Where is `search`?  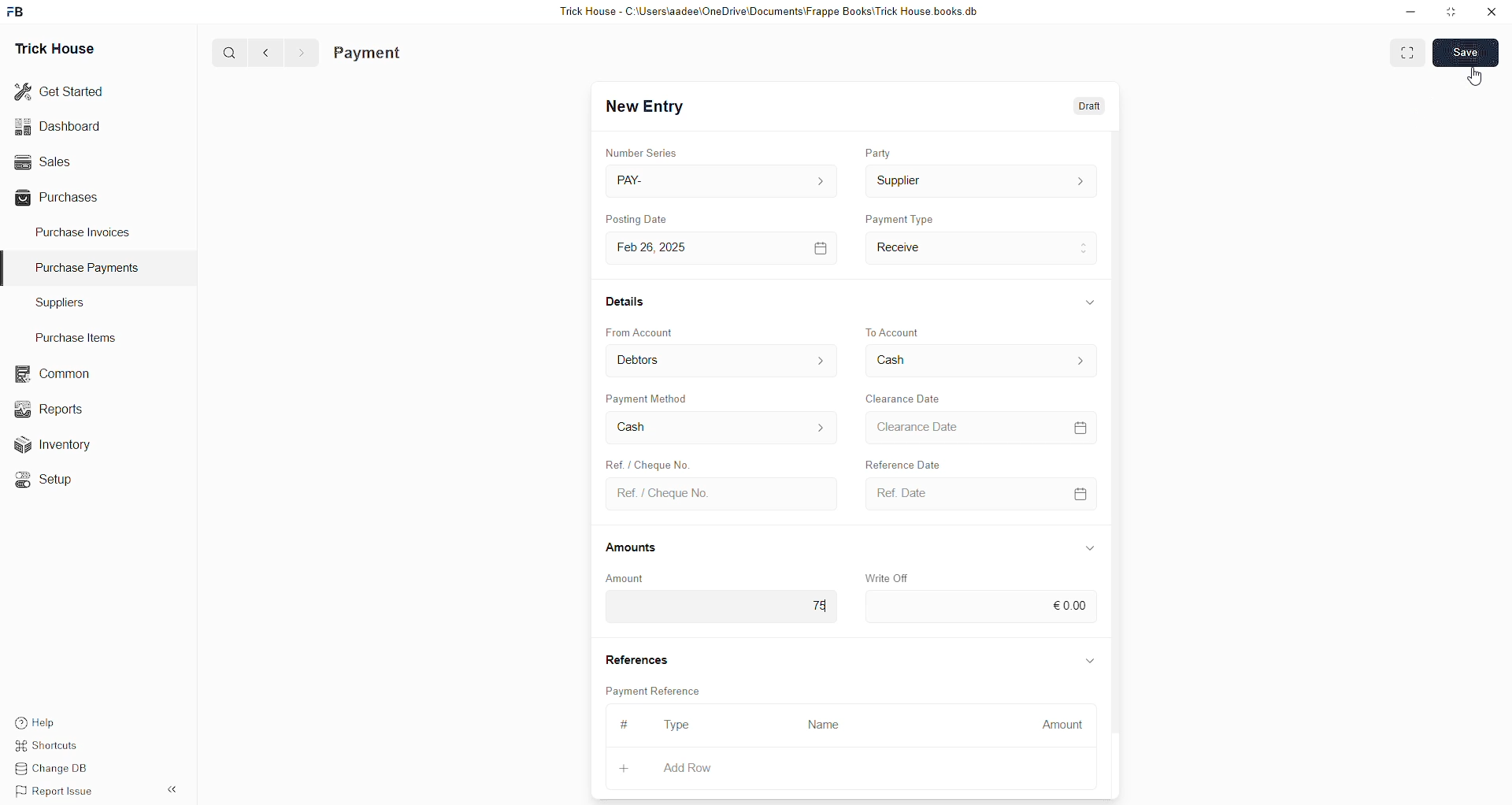
search is located at coordinates (231, 53).